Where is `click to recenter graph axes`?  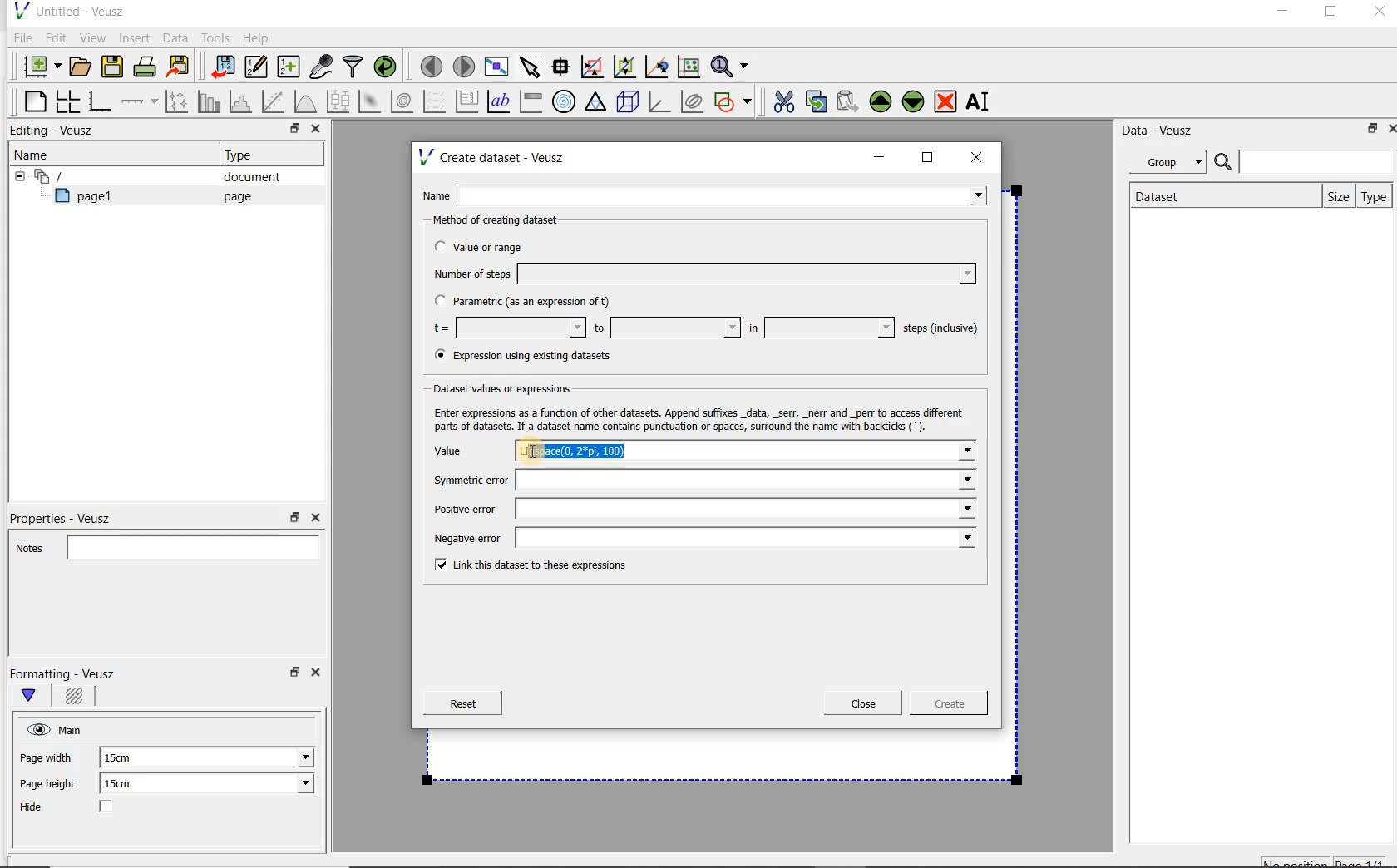
click to recenter graph axes is located at coordinates (658, 67).